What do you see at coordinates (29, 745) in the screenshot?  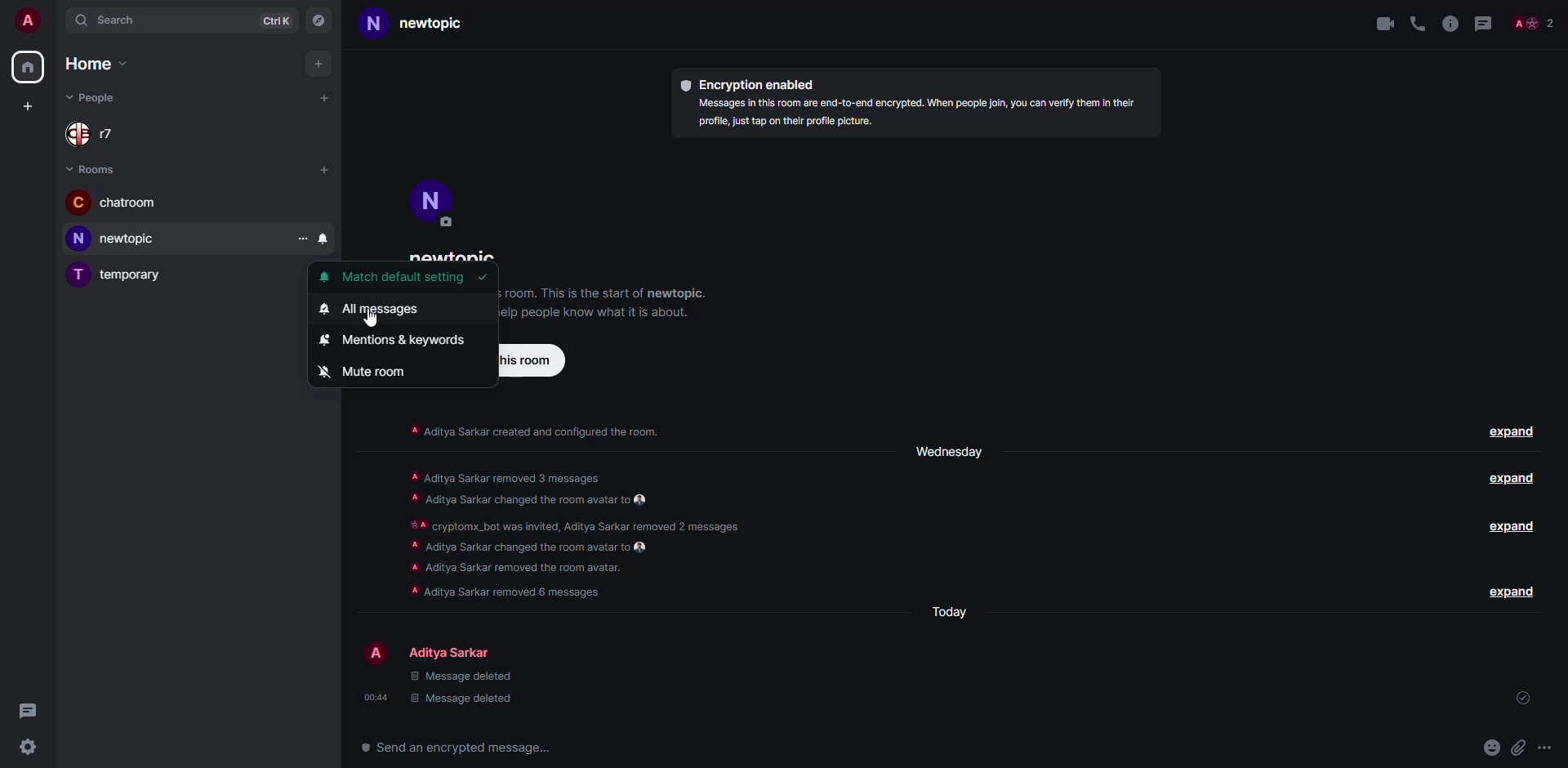 I see `settings` at bounding box center [29, 745].